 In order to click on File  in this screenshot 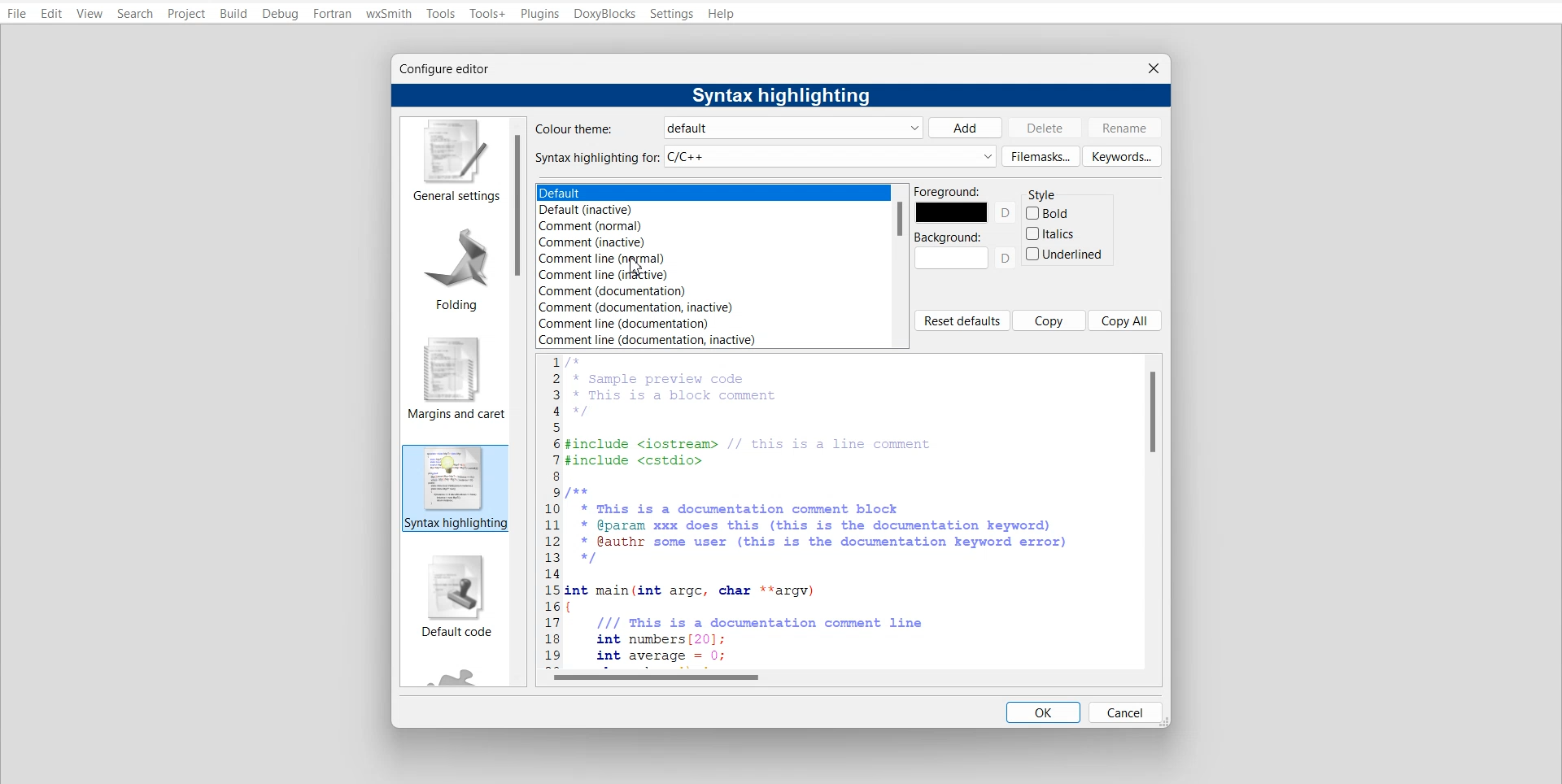, I will do `click(16, 14)`.